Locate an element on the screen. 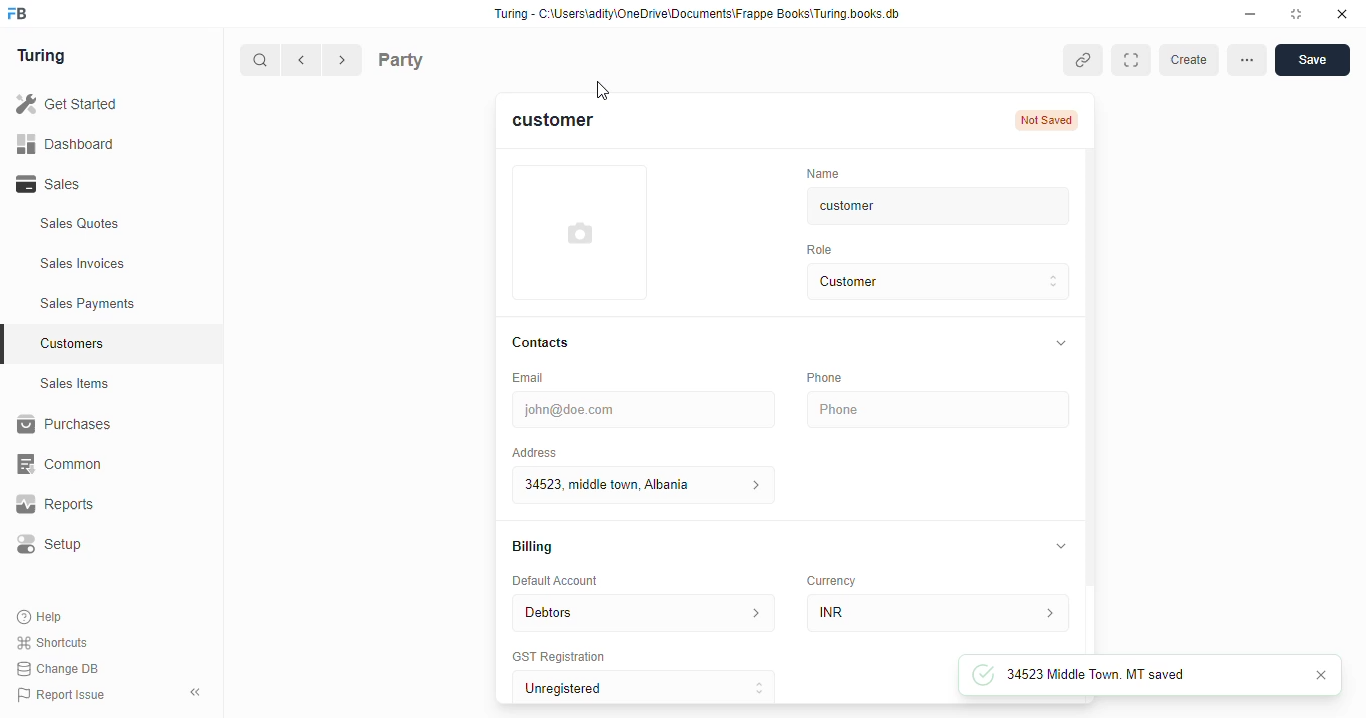  Help is located at coordinates (42, 618).